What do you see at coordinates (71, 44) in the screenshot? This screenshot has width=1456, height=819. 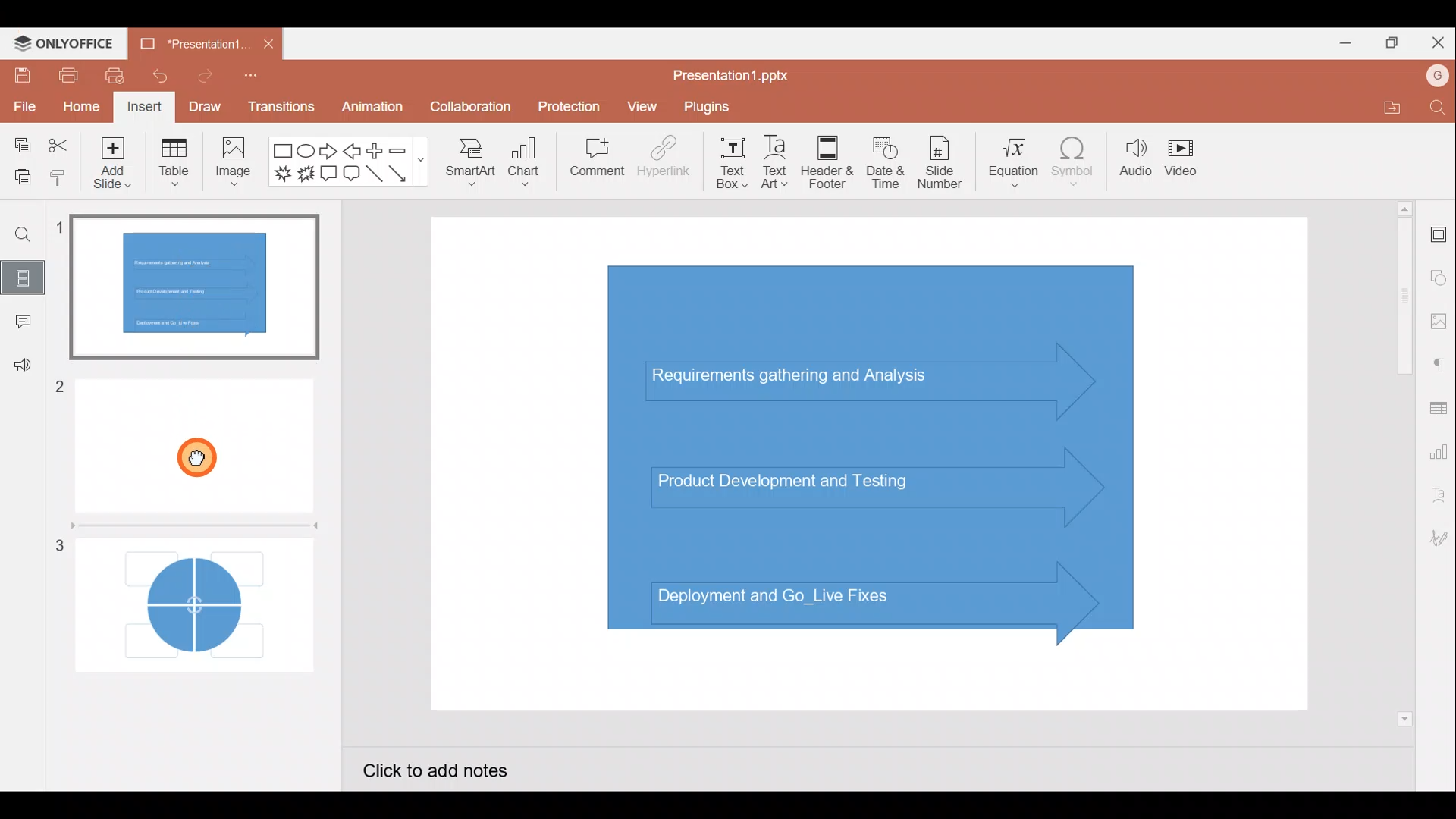 I see `ONLYOFFICE Menu` at bounding box center [71, 44].